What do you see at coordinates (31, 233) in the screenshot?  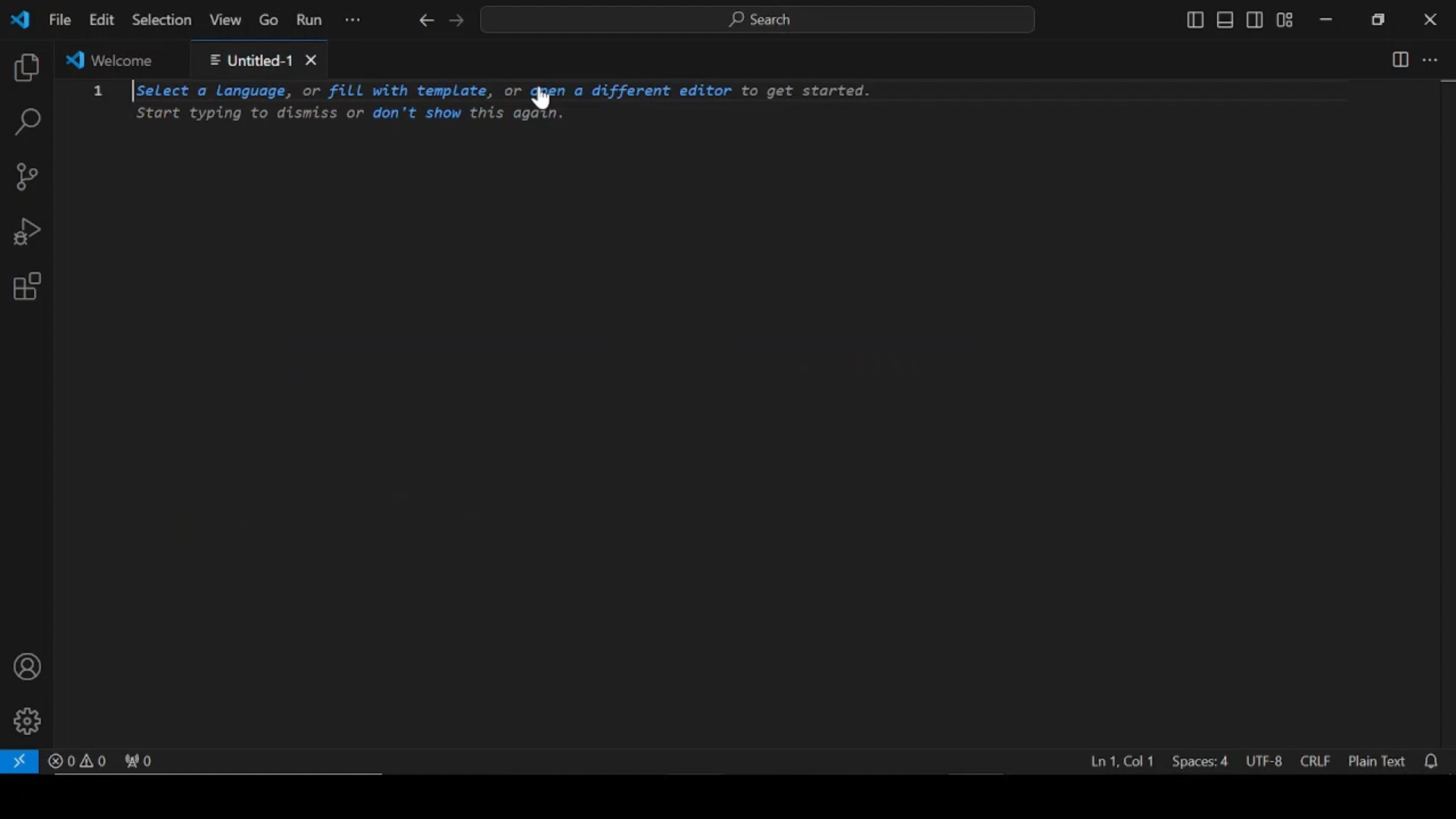 I see `run and debug` at bounding box center [31, 233].